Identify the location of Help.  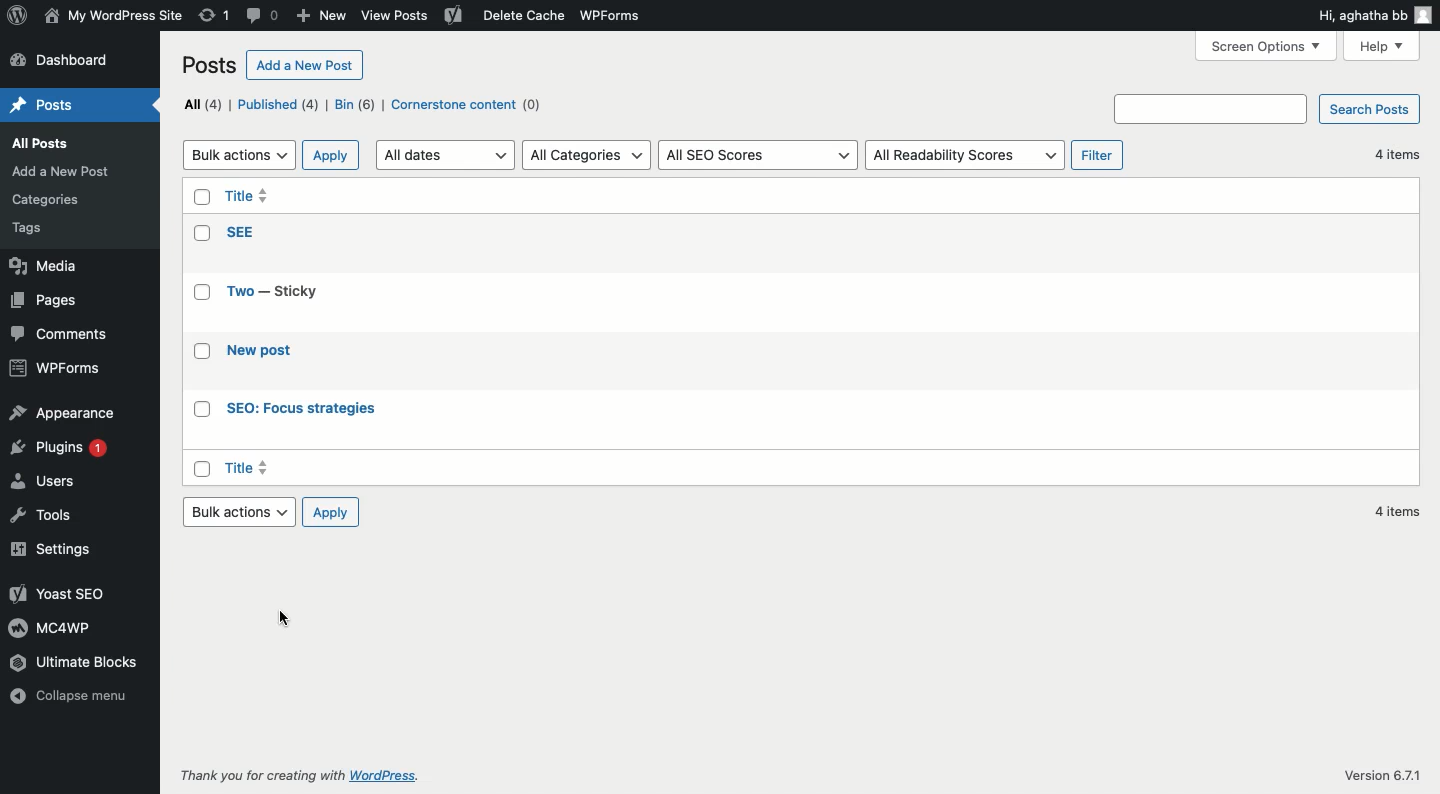
(1384, 45).